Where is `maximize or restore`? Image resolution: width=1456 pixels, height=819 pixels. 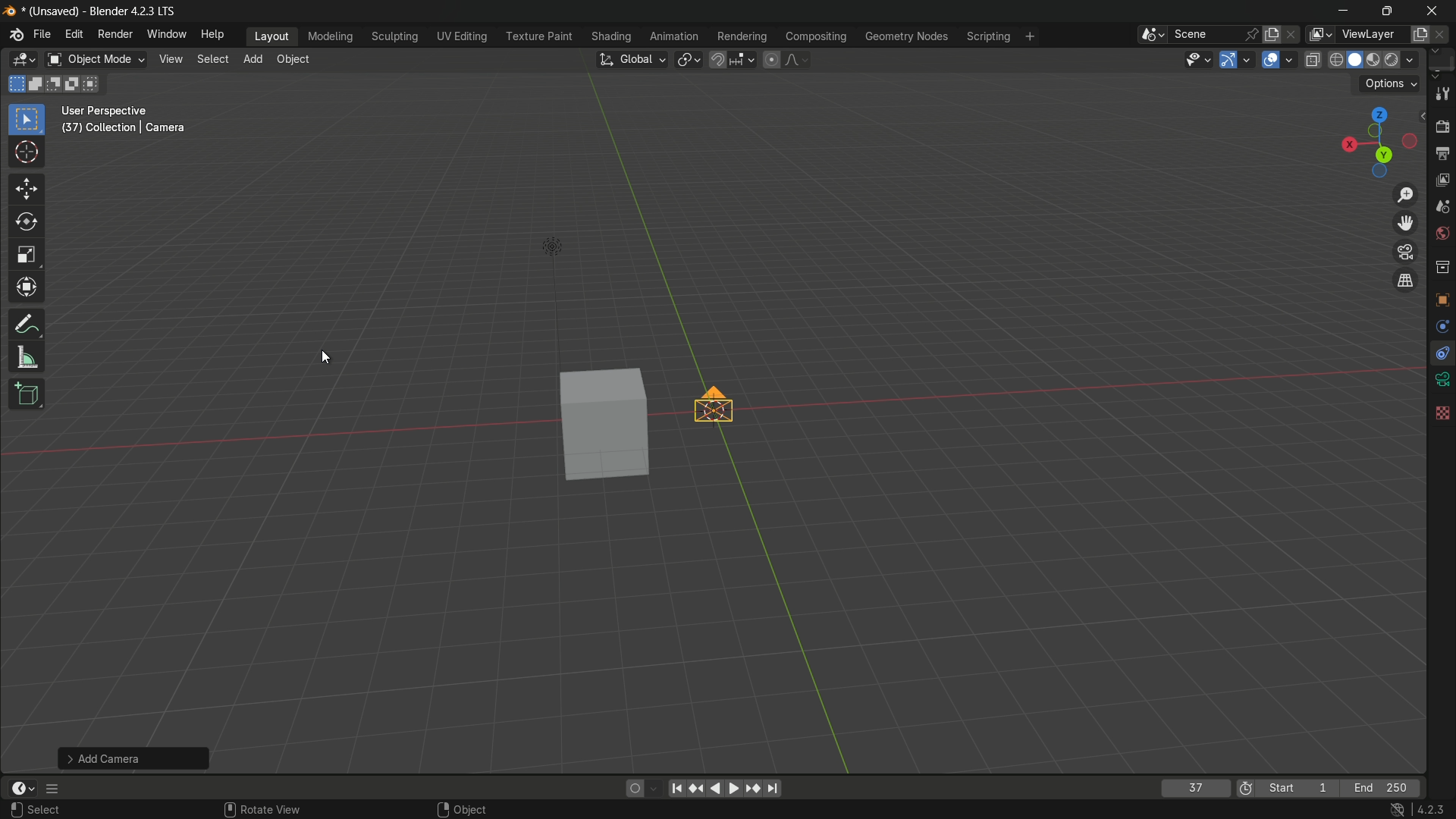
maximize or restore is located at coordinates (1385, 11).